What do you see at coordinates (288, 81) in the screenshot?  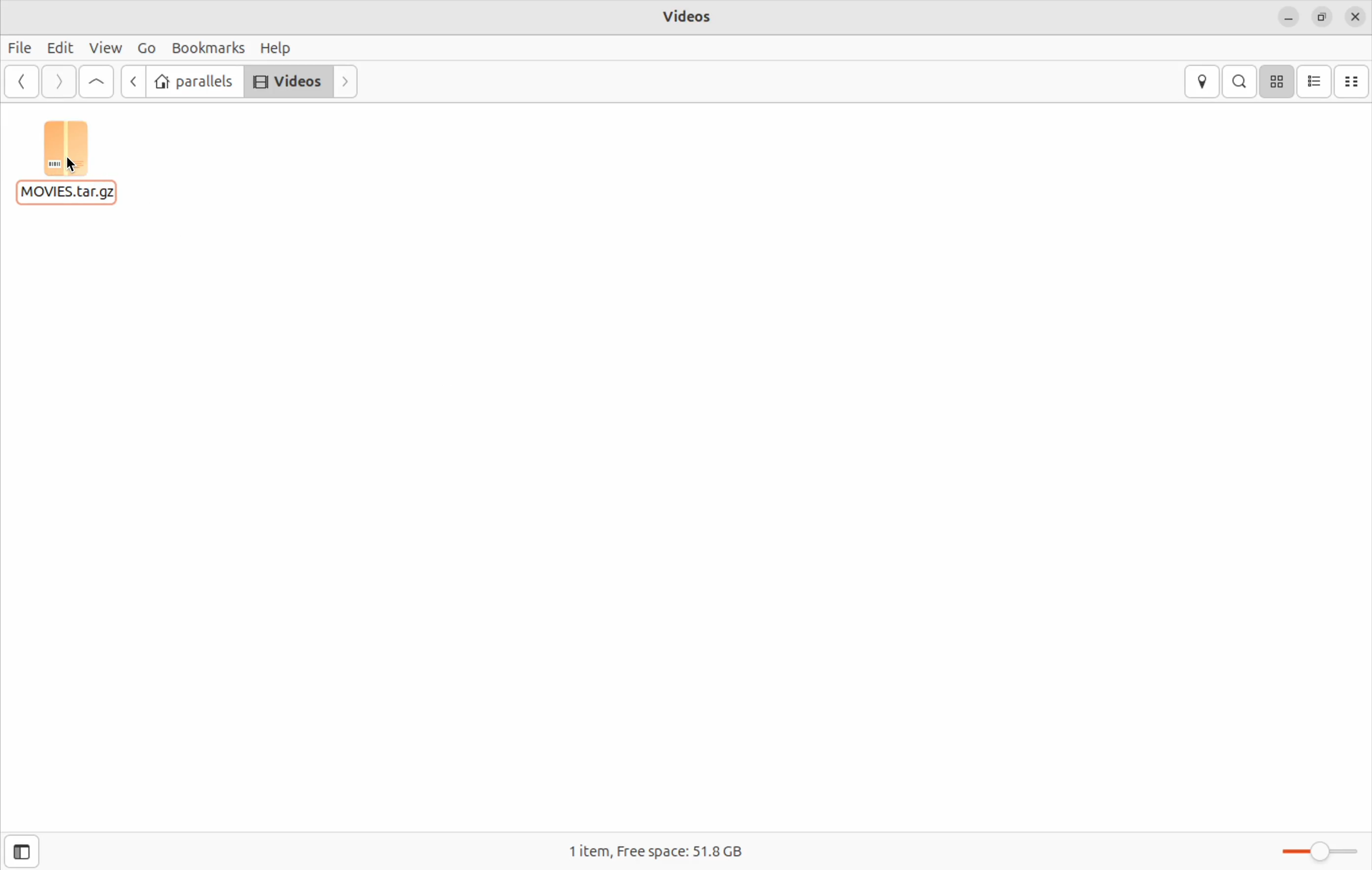 I see `videos` at bounding box center [288, 81].